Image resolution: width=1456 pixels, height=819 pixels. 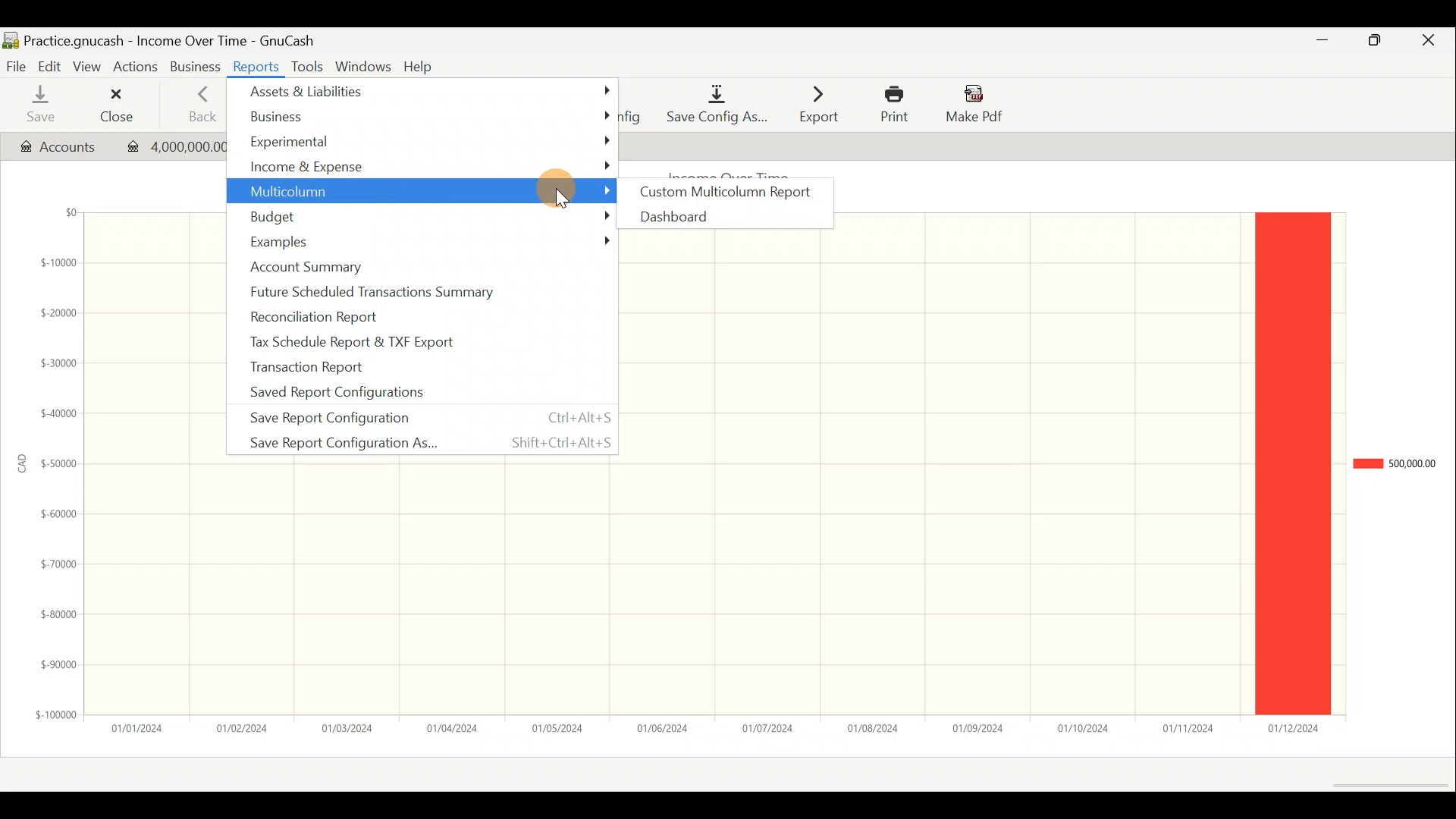 What do you see at coordinates (417, 442) in the screenshot?
I see `Save report configuration as` at bounding box center [417, 442].